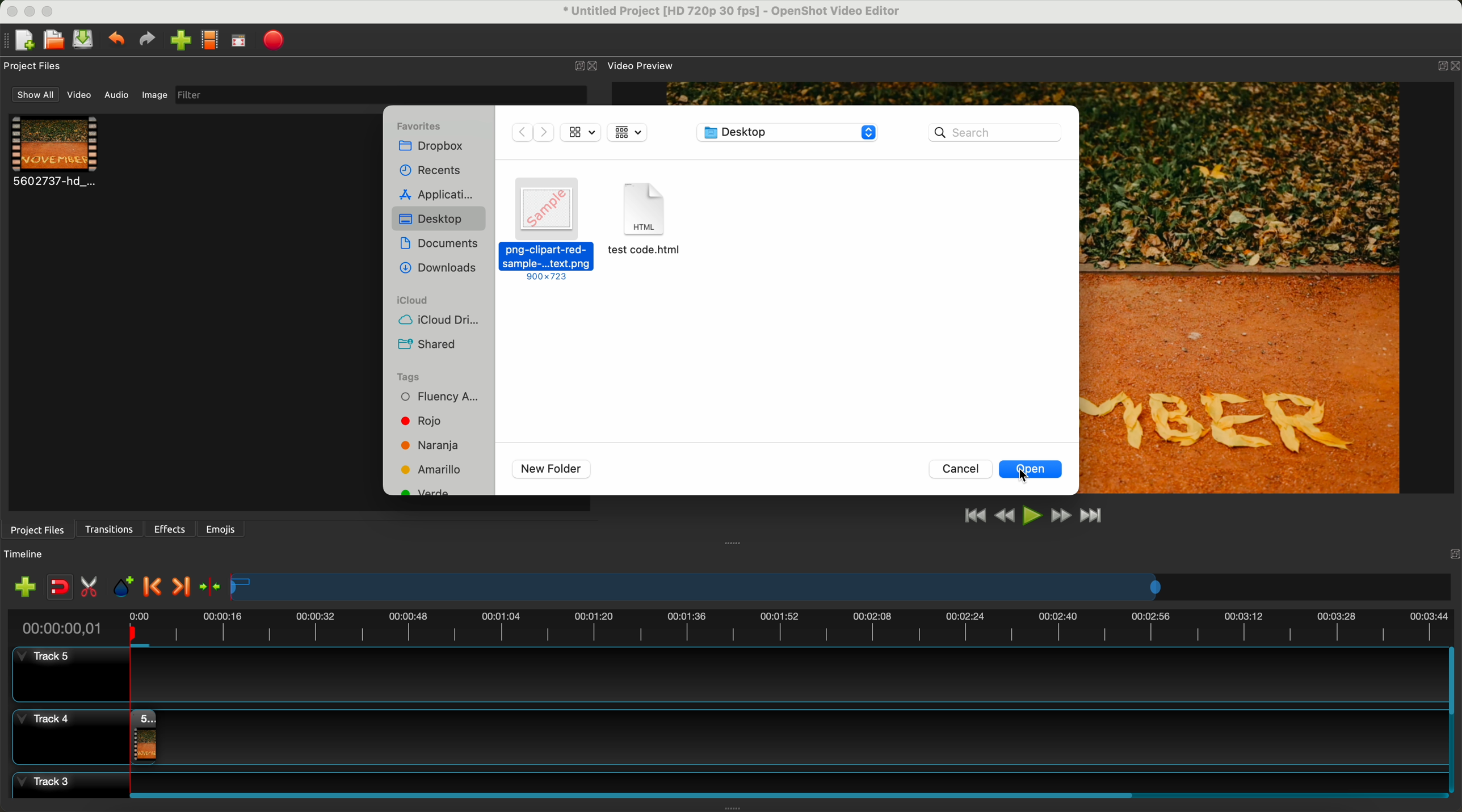 The height and width of the screenshot is (812, 1462). What do you see at coordinates (171, 529) in the screenshot?
I see `effects` at bounding box center [171, 529].